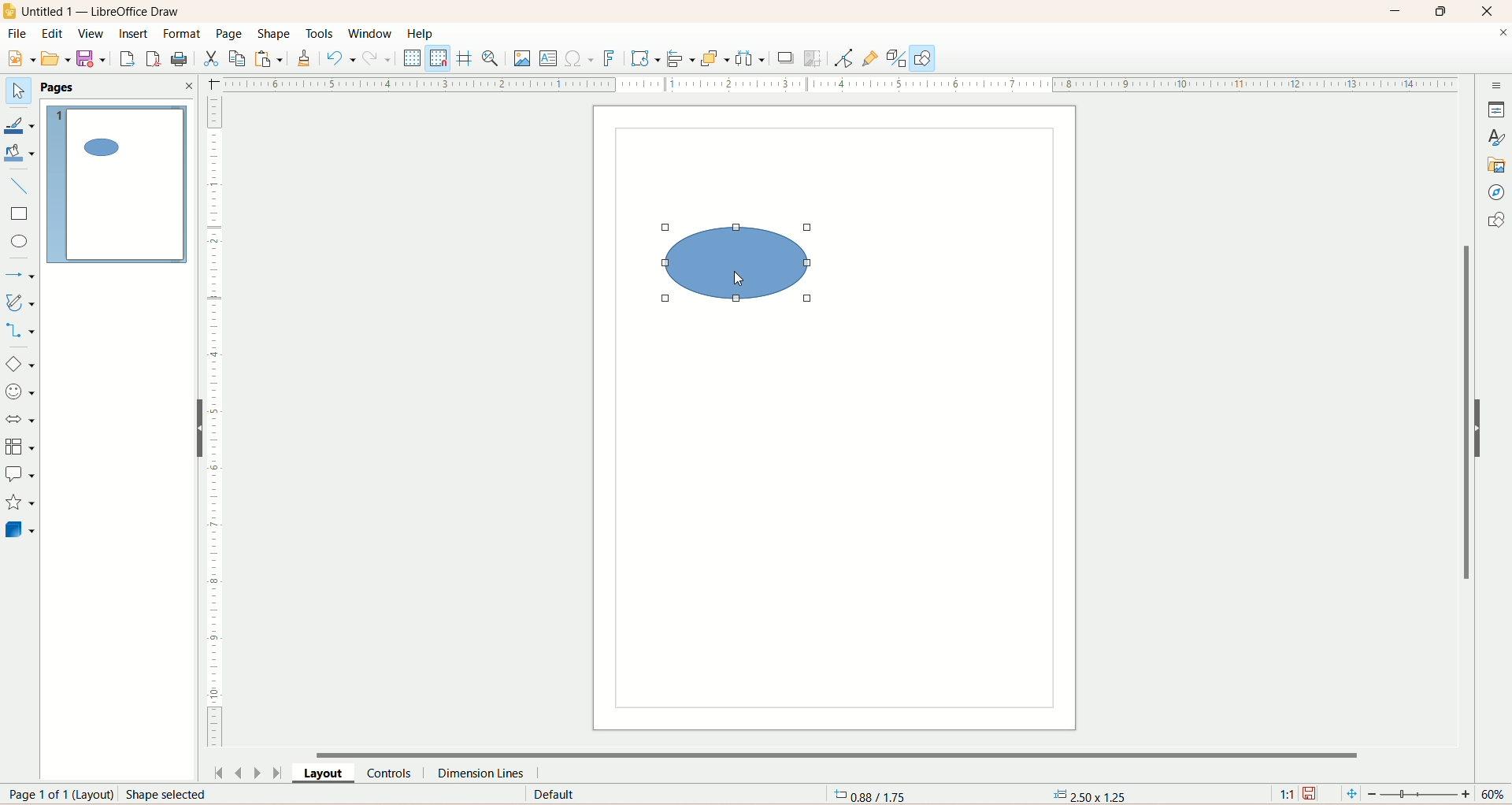  Describe the element at coordinates (371, 35) in the screenshot. I see `window` at that location.